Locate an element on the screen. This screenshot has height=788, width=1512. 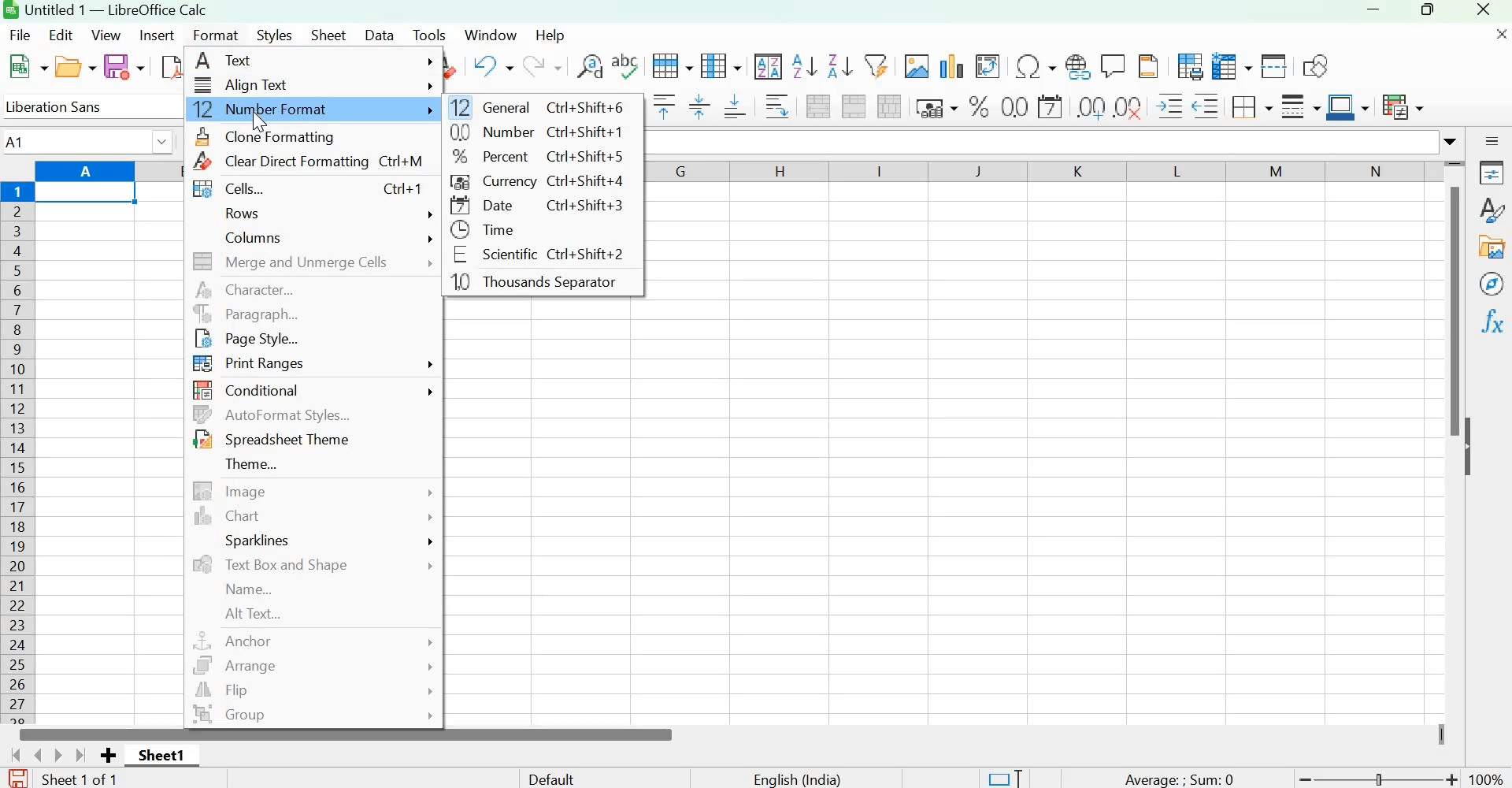
Columns is located at coordinates (250, 237).